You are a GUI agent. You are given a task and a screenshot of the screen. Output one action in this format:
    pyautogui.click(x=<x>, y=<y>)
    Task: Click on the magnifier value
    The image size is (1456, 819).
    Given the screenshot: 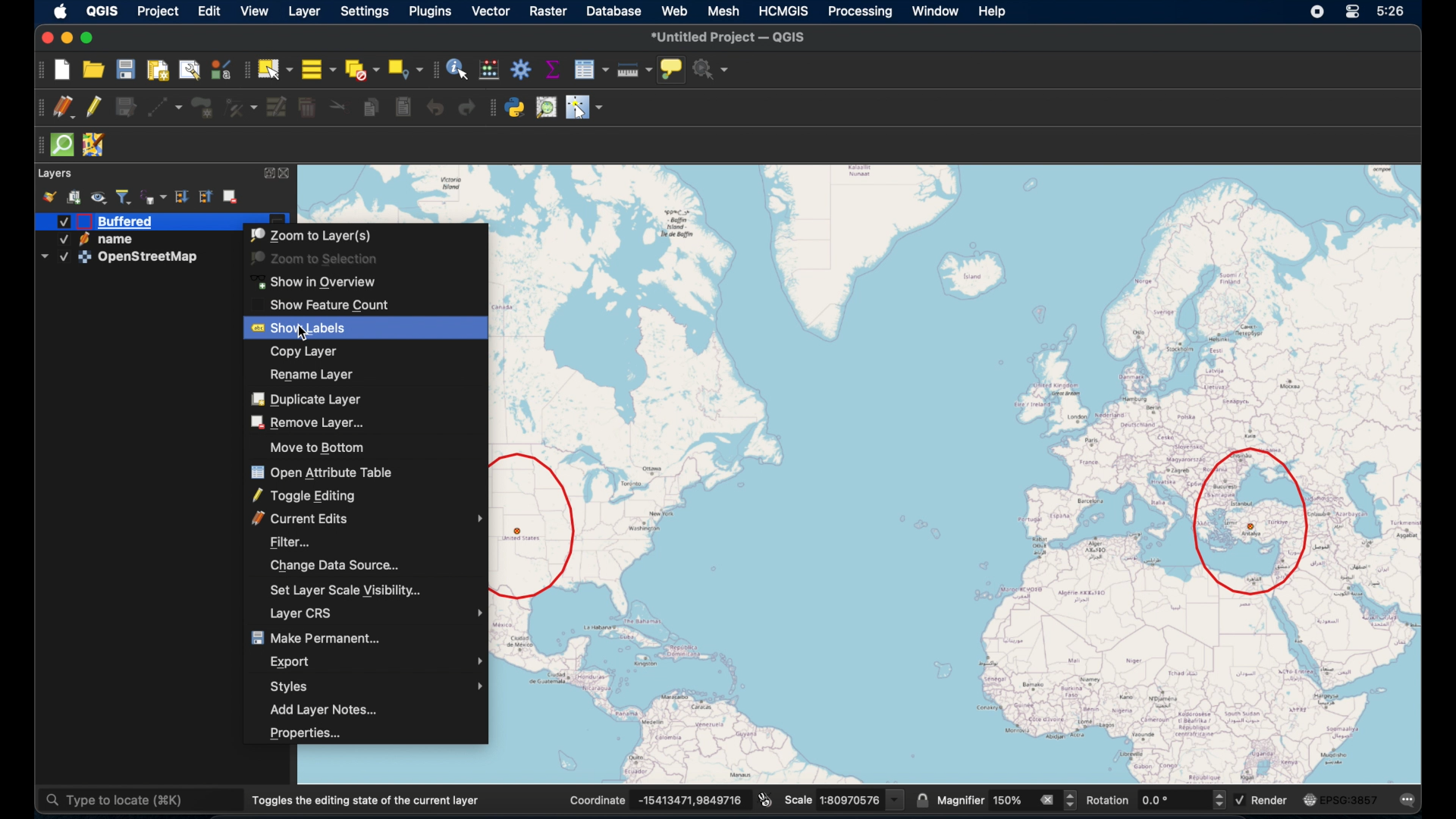 What is the action you would take?
    pyautogui.click(x=1006, y=800)
    